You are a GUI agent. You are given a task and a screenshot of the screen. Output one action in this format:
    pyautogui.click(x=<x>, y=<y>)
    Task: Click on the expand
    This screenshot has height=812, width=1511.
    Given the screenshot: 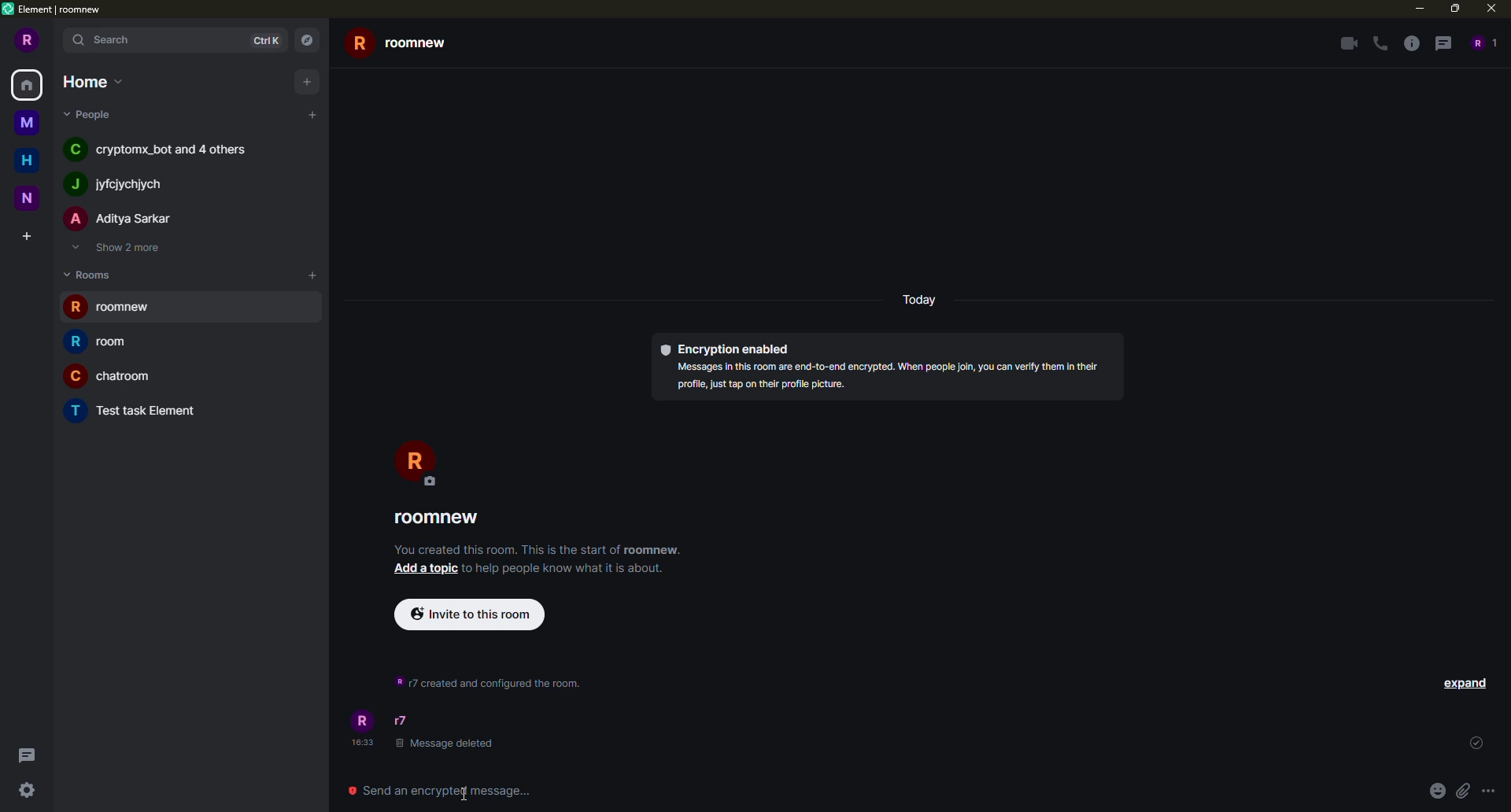 What is the action you would take?
    pyautogui.click(x=1465, y=682)
    